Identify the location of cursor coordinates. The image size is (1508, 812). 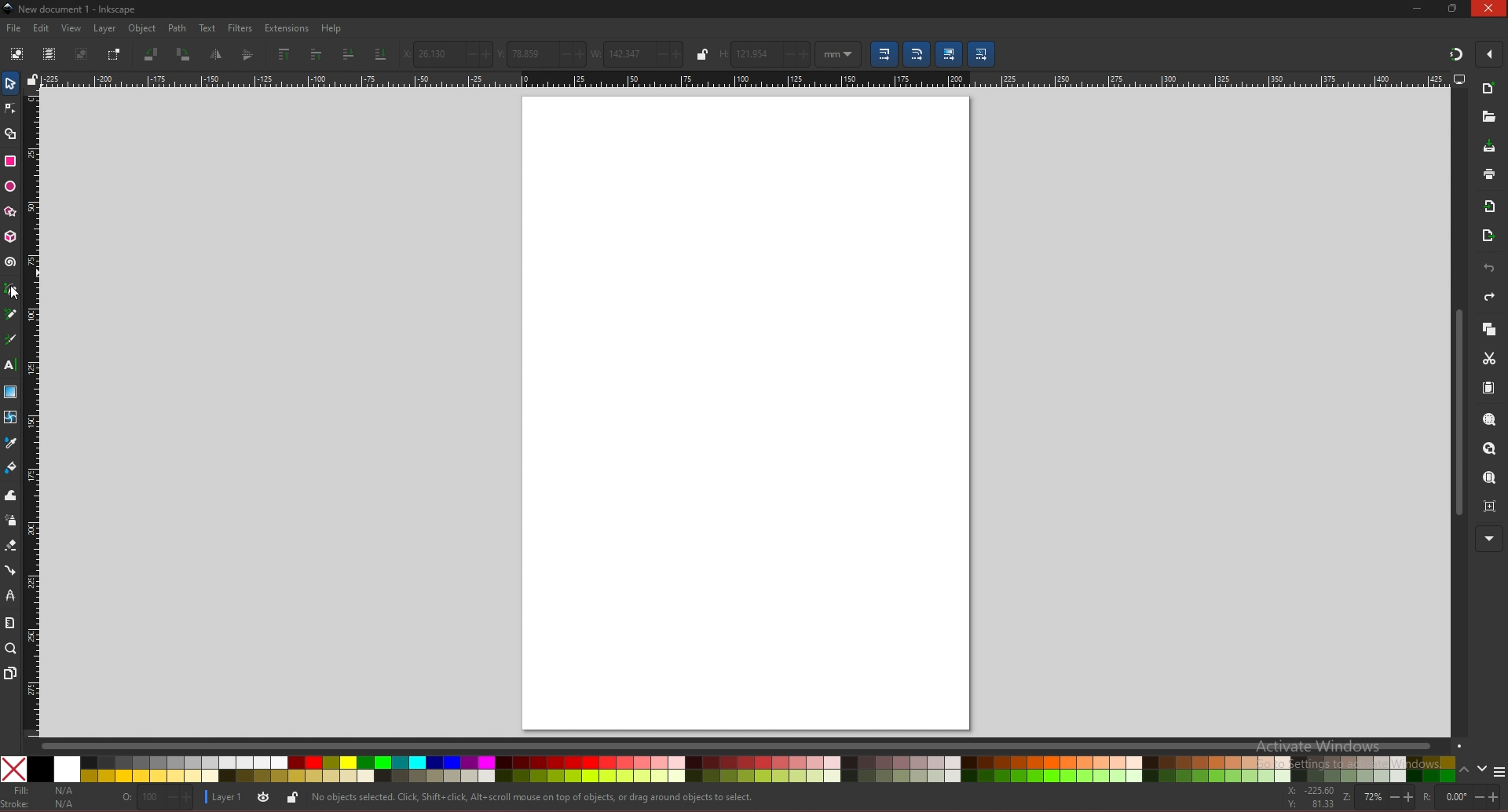
(1312, 797).